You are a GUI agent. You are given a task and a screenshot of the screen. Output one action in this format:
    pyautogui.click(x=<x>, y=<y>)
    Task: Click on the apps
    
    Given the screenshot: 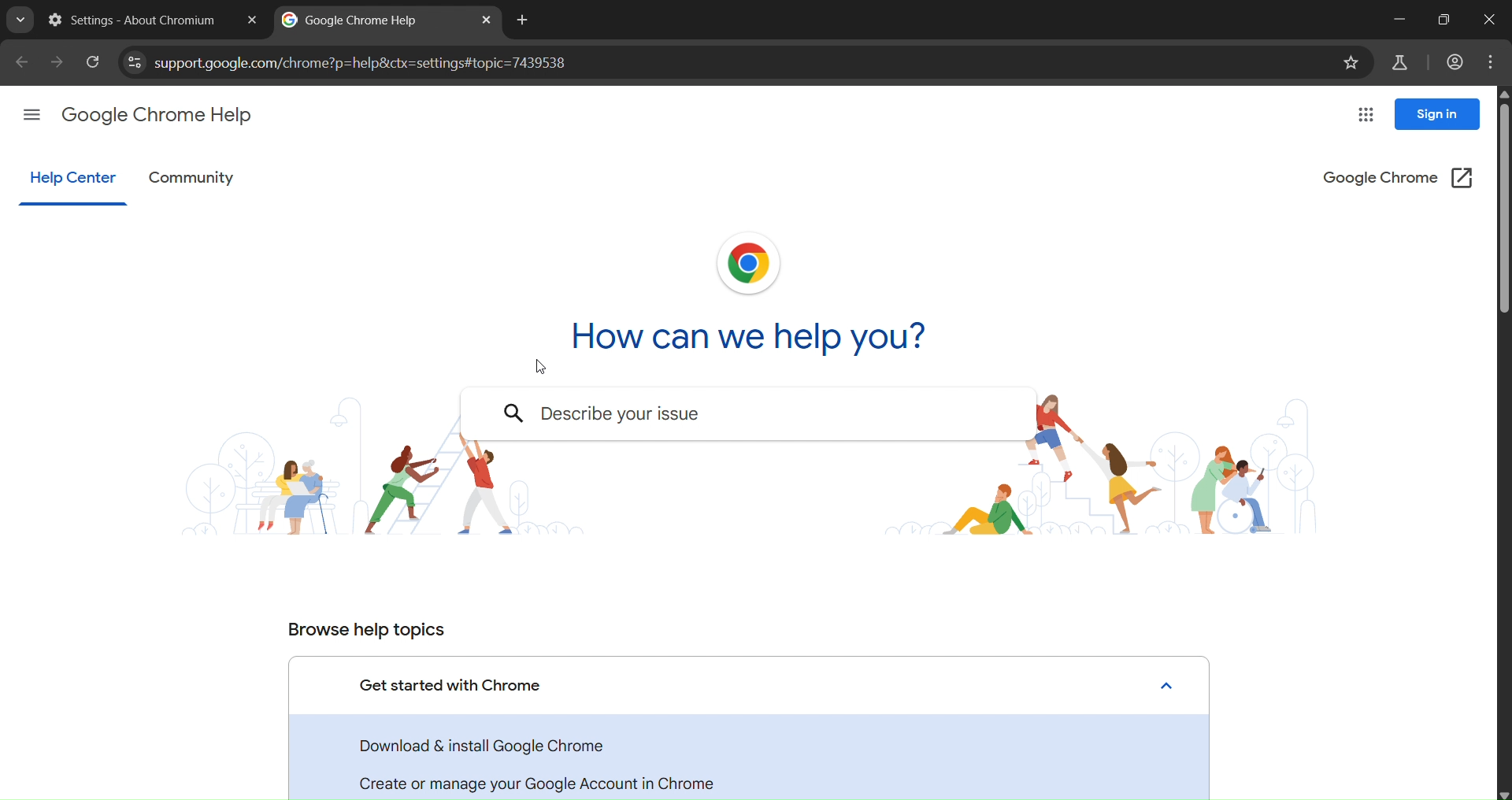 What is the action you would take?
    pyautogui.click(x=1366, y=115)
    